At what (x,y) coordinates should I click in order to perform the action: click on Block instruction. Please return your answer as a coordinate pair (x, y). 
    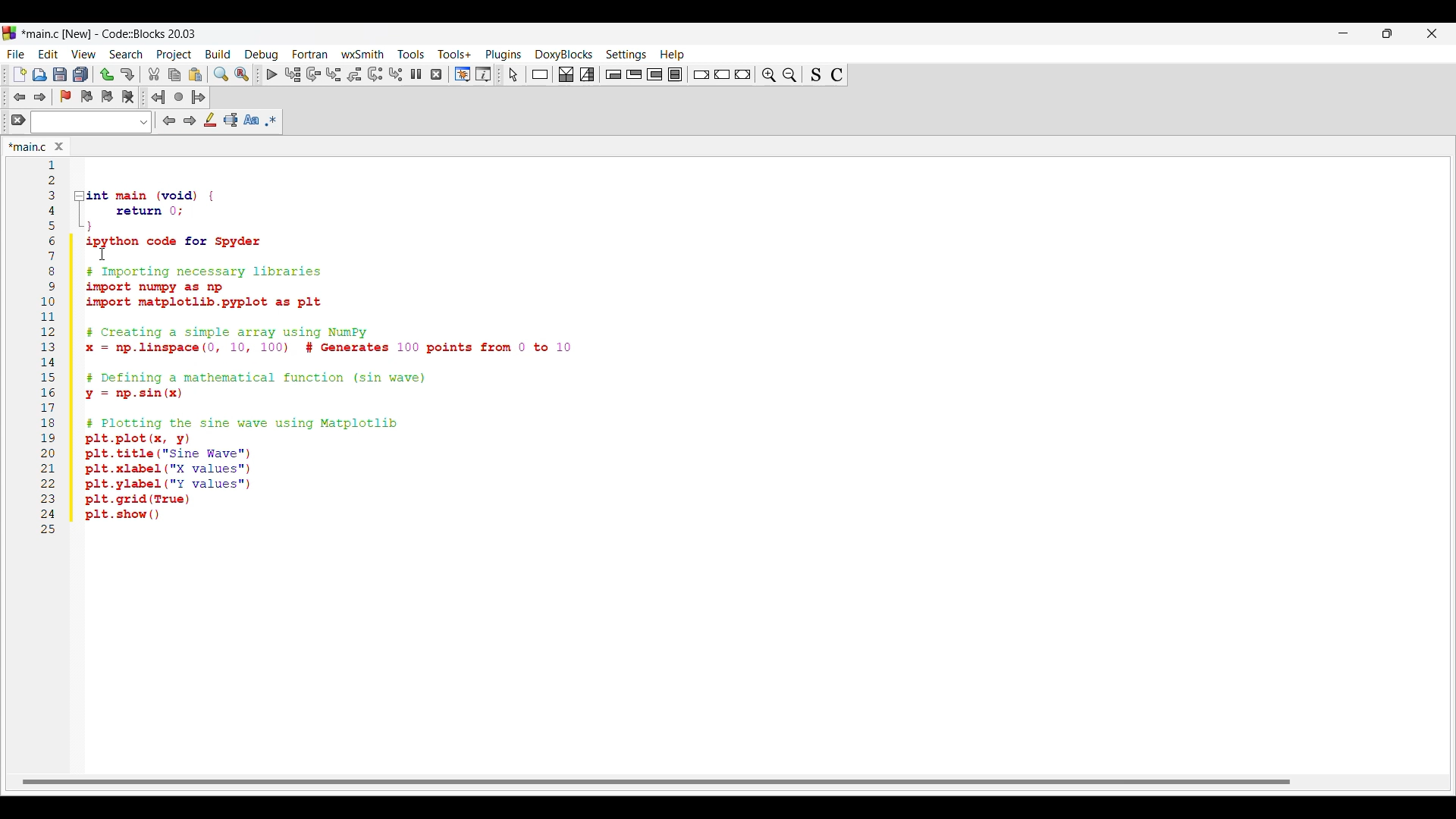
    Looking at the image, I should click on (675, 74).